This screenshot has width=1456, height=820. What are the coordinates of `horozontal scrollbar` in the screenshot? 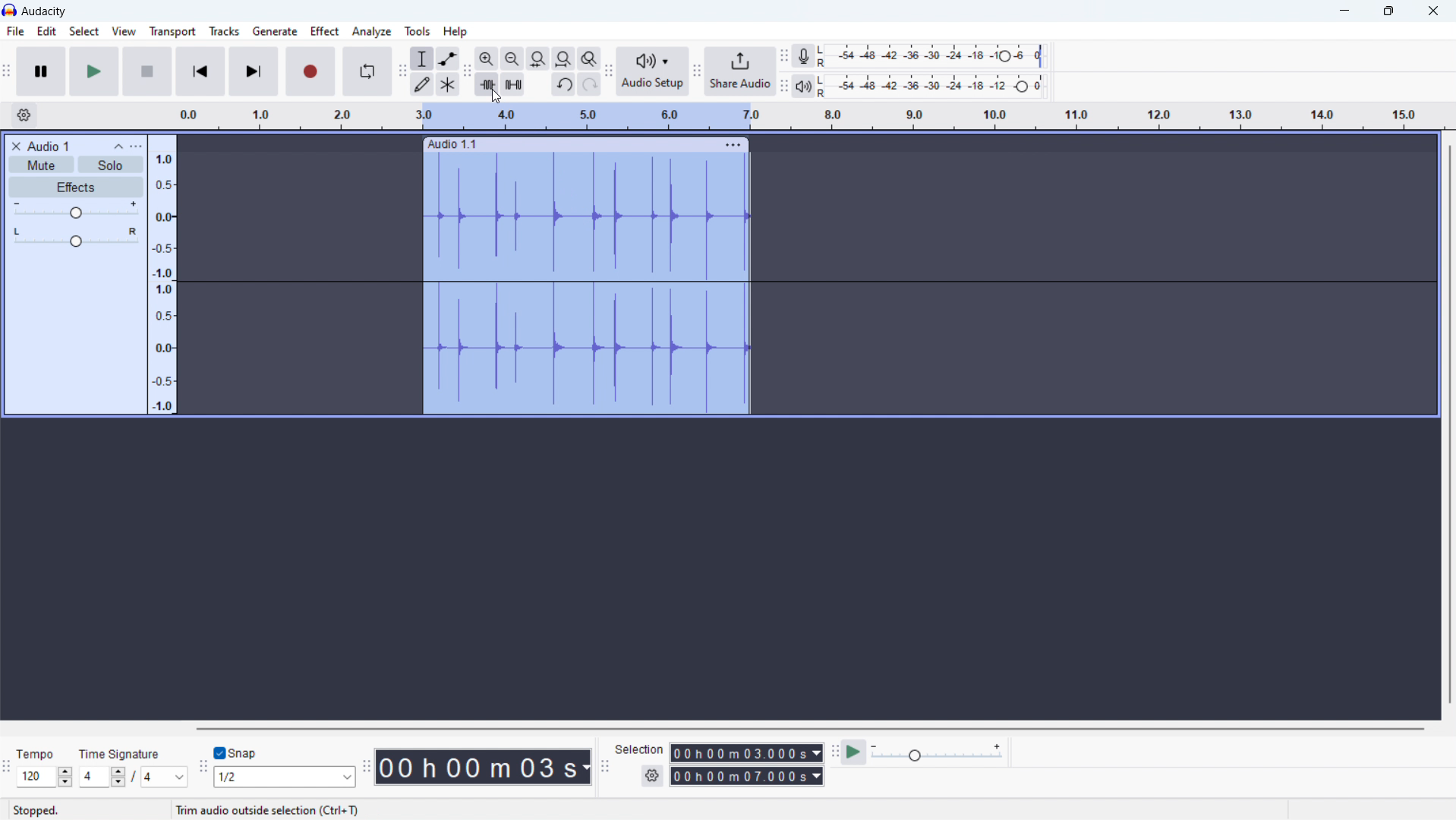 It's located at (808, 727).